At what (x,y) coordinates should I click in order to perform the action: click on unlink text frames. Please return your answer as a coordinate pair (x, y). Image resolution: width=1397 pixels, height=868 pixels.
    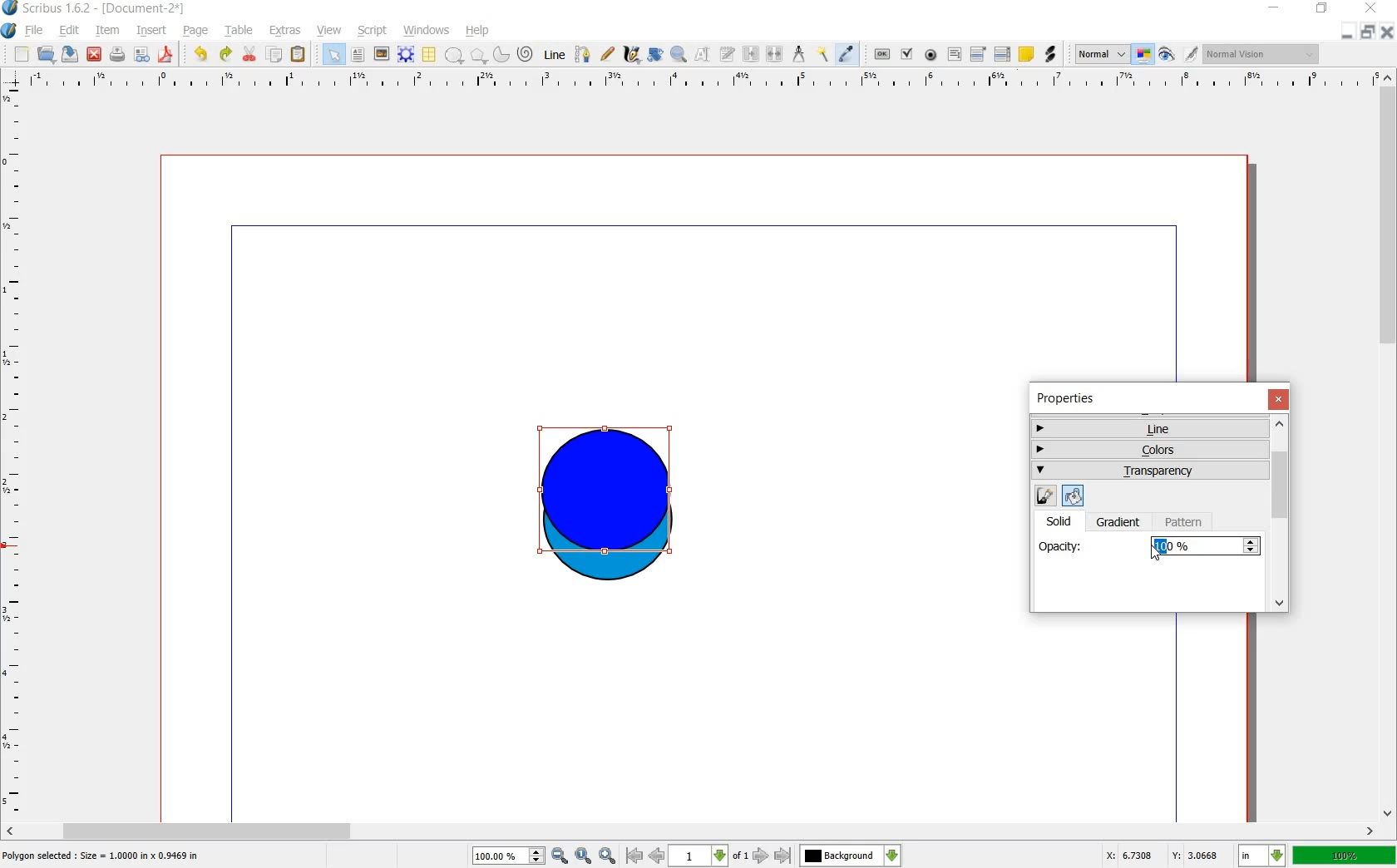
    Looking at the image, I should click on (777, 55).